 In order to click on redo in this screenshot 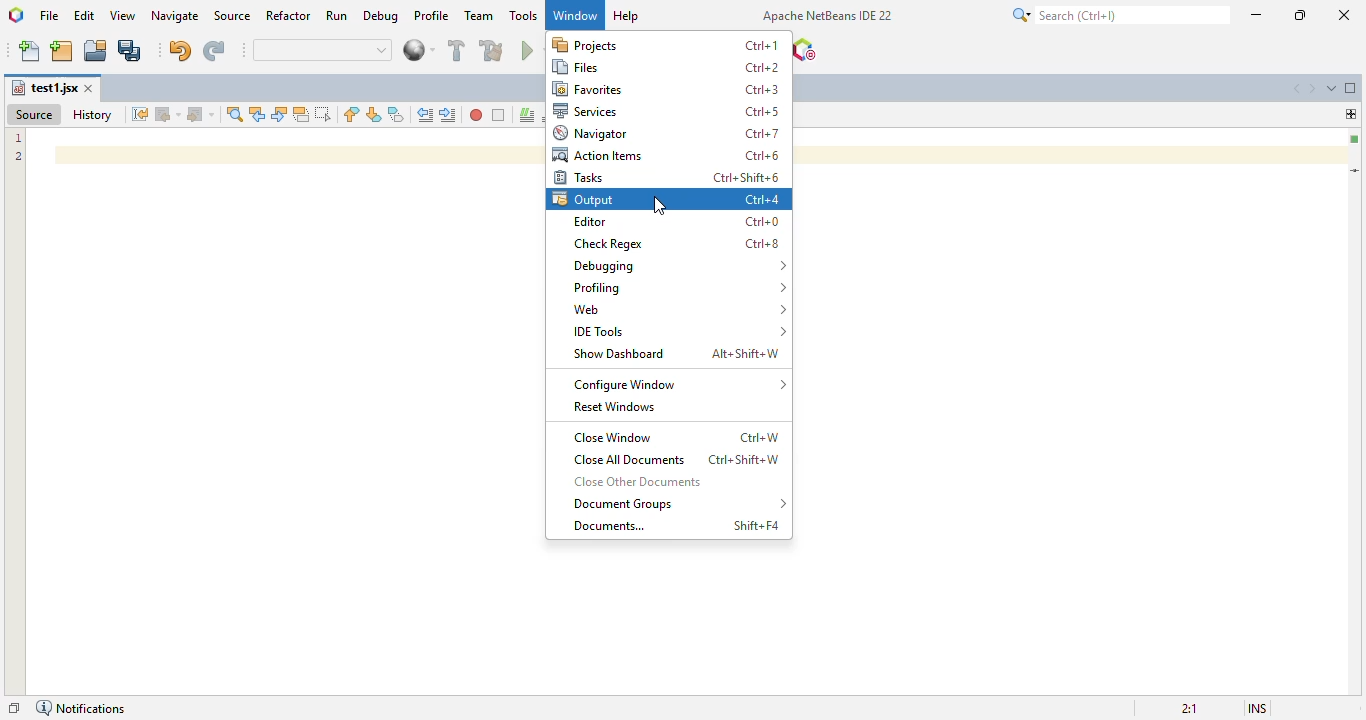, I will do `click(215, 51)`.